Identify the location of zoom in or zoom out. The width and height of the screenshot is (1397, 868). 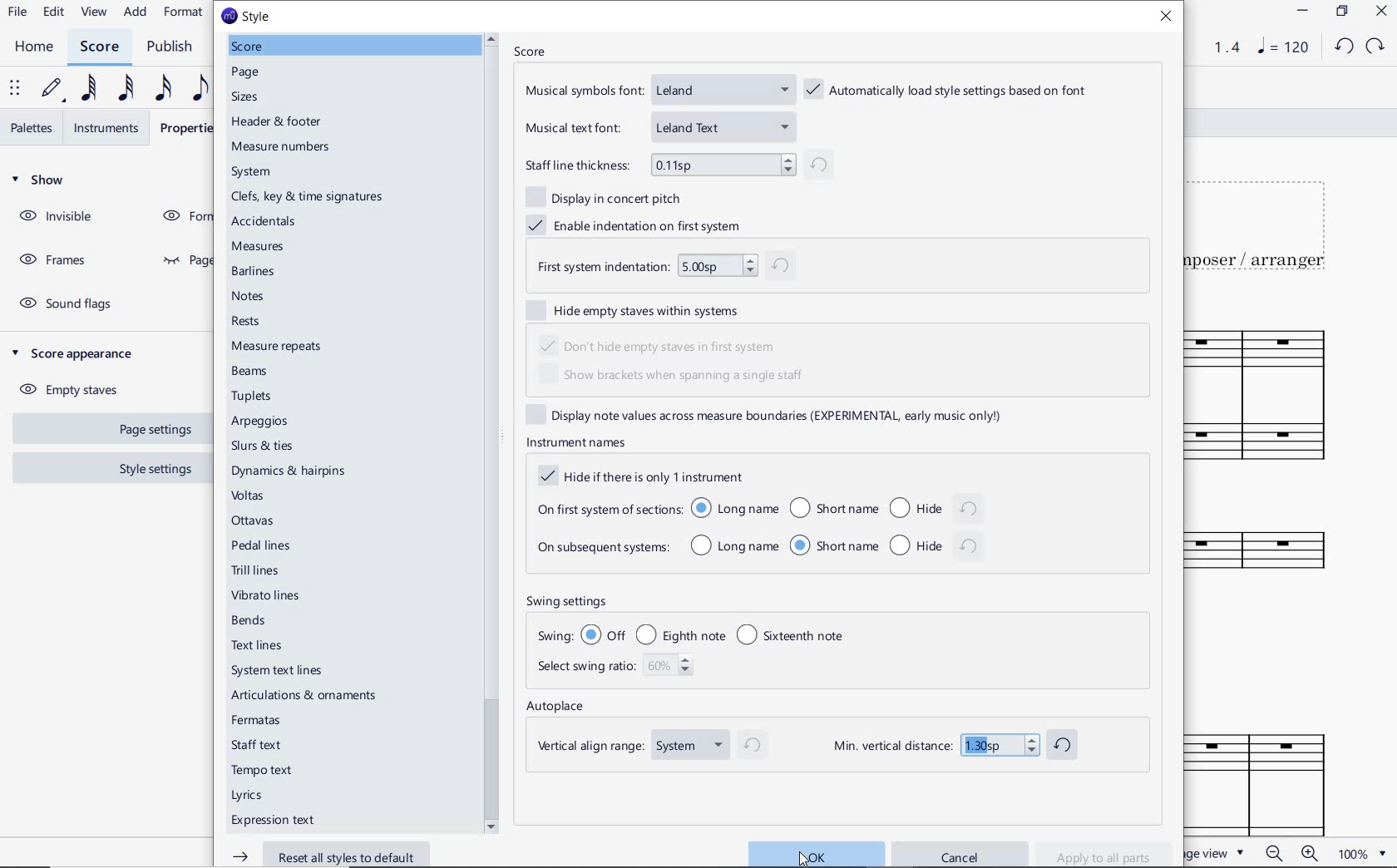
(1291, 853).